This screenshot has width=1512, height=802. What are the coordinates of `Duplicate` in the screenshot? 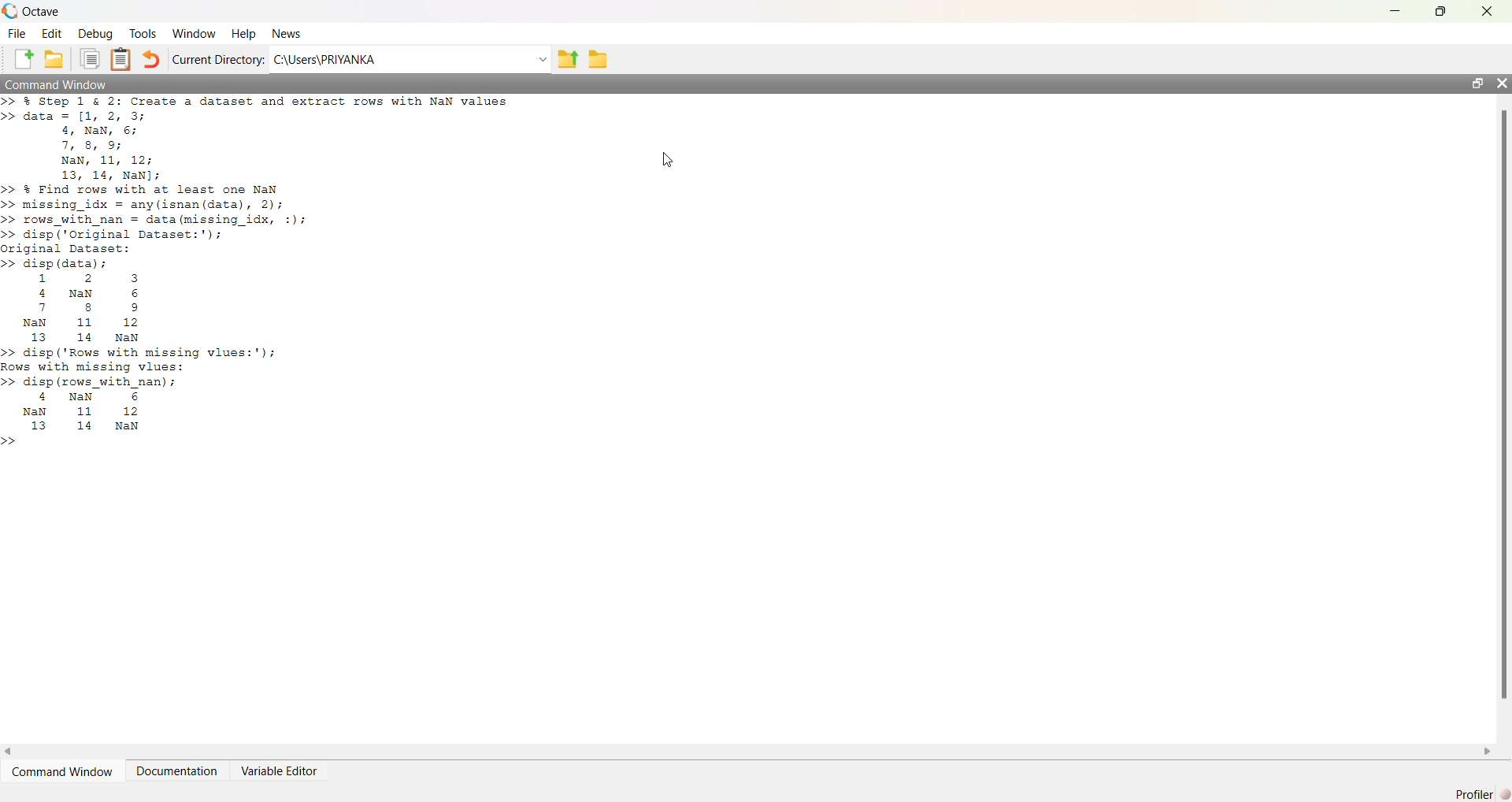 It's located at (90, 59).